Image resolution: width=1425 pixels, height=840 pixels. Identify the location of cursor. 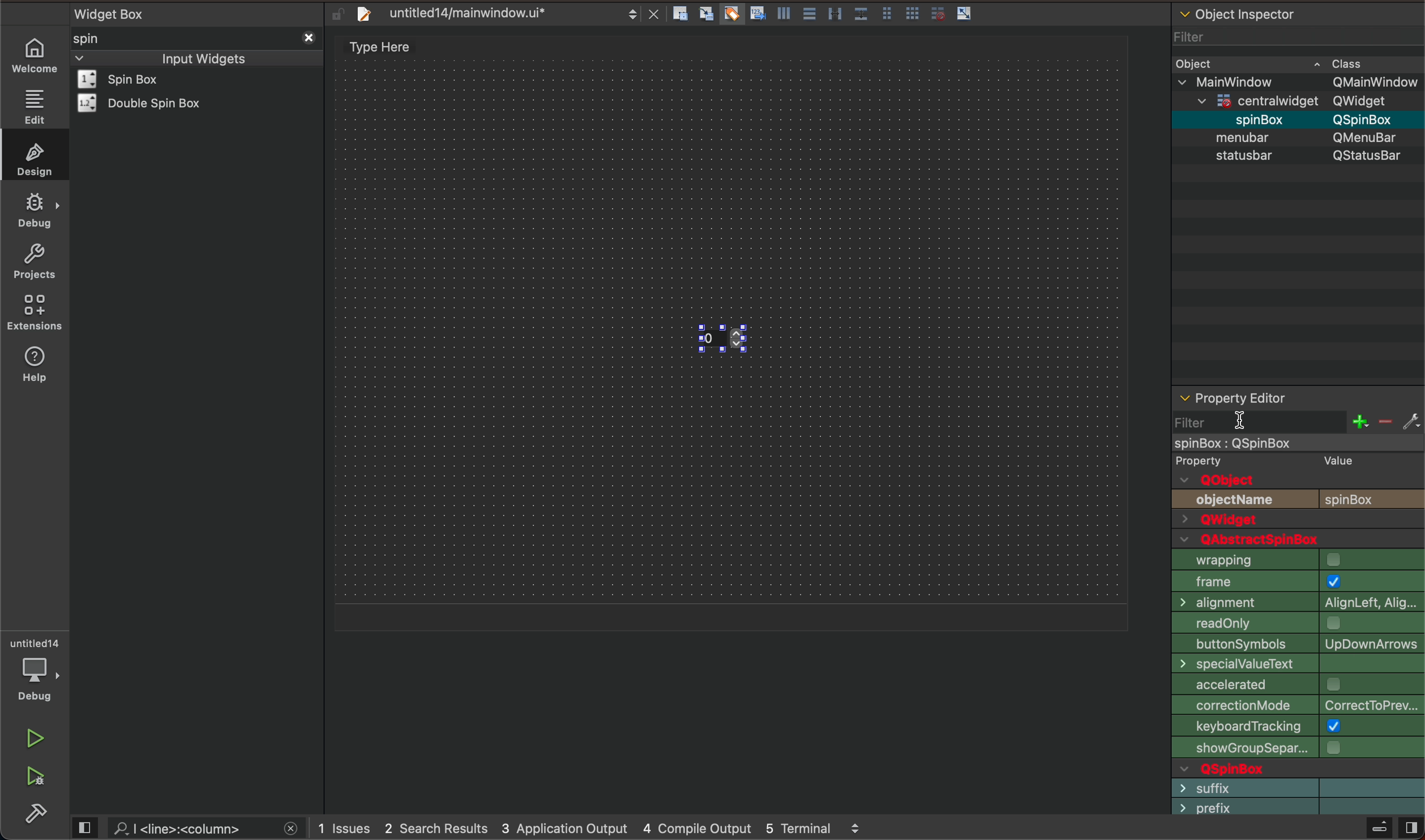
(1240, 419).